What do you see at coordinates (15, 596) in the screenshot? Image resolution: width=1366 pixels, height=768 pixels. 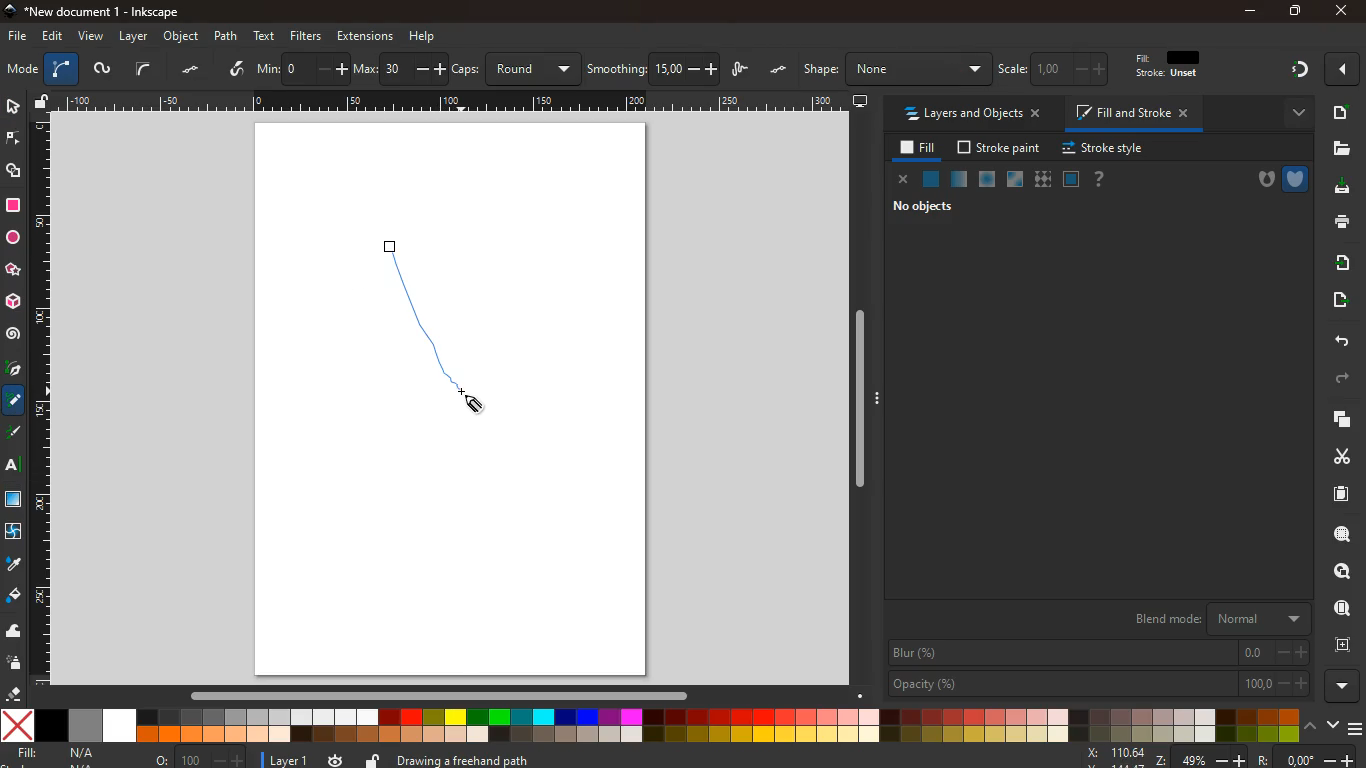 I see `paint` at bounding box center [15, 596].